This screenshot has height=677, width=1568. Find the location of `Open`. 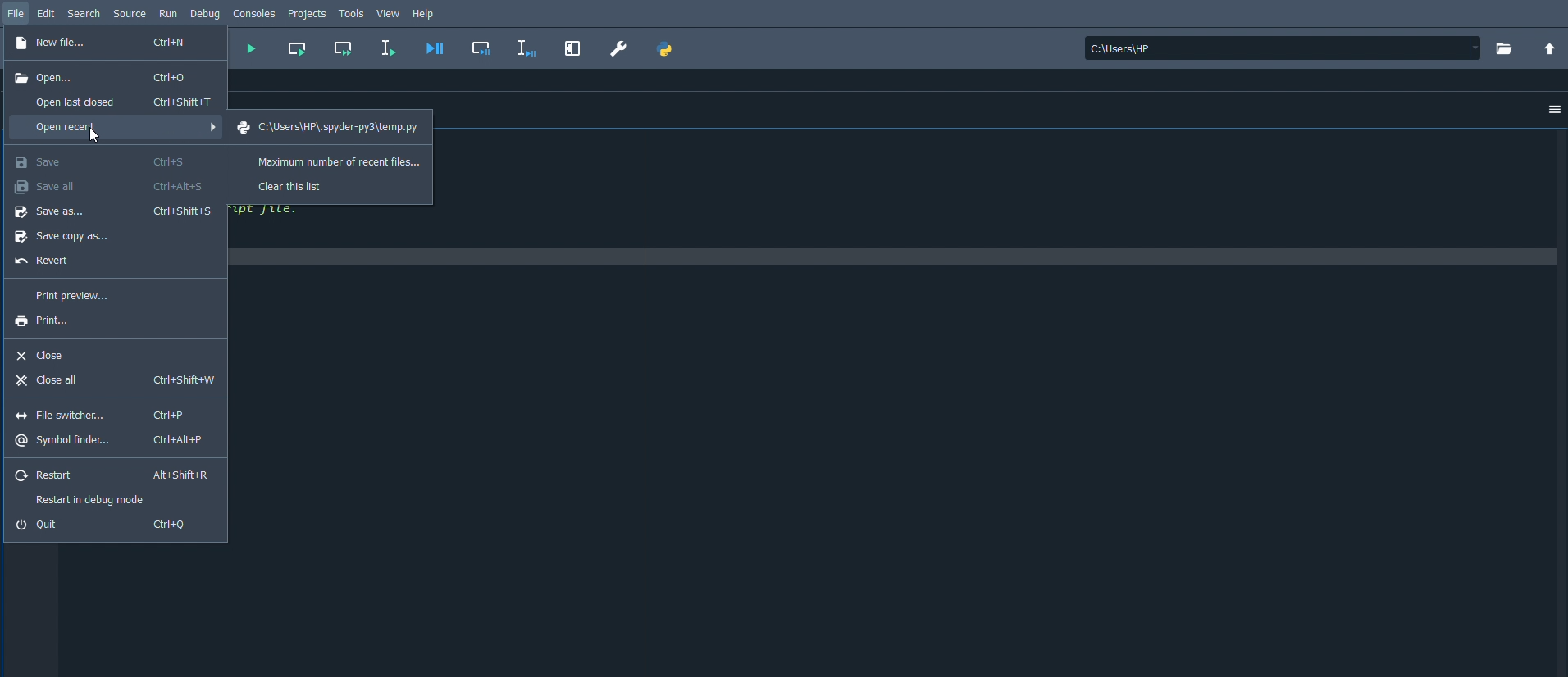

Open is located at coordinates (103, 77).